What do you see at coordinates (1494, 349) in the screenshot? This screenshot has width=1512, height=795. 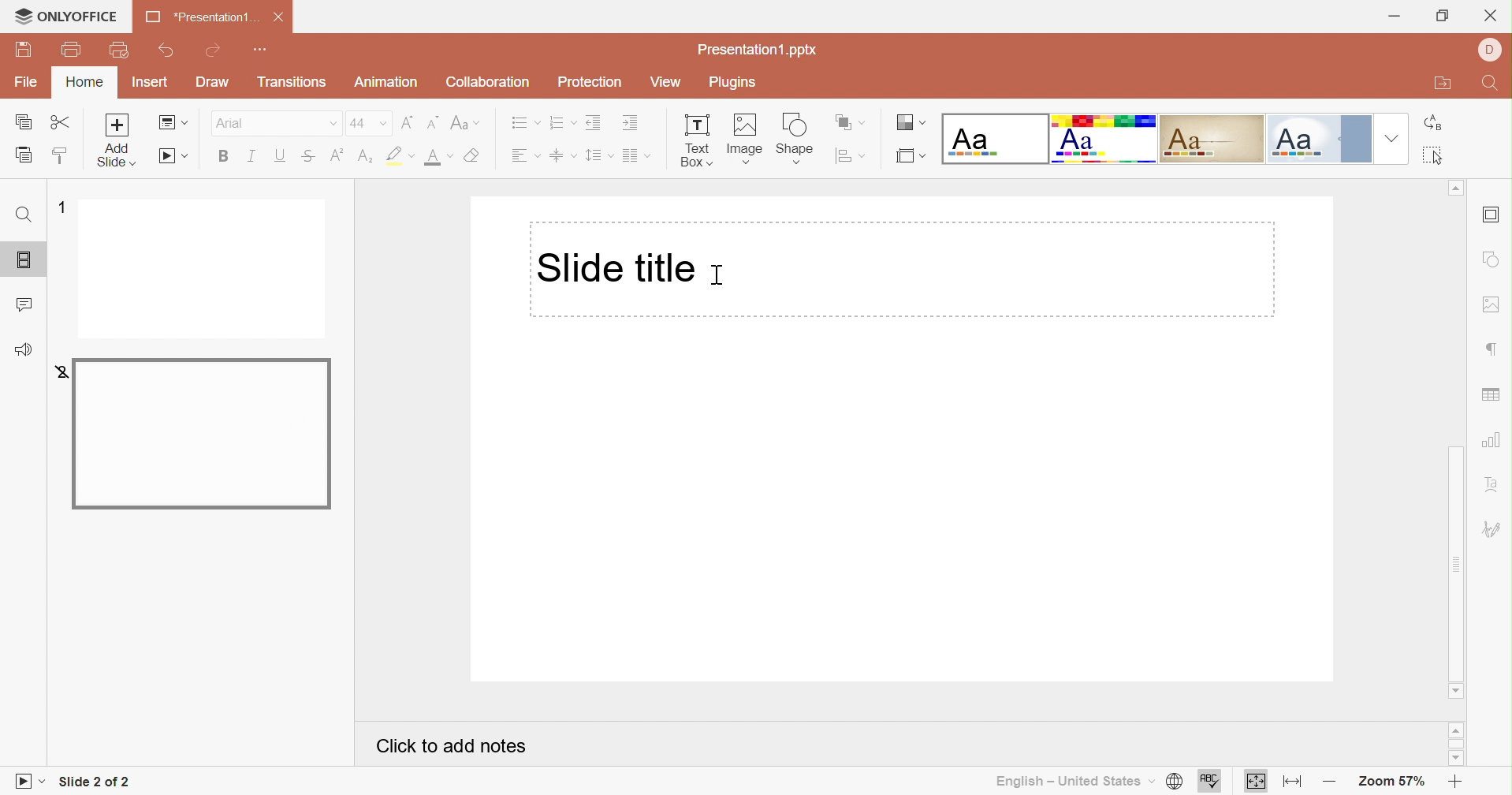 I see `Paragraph settings` at bounding box center [1494, 349].